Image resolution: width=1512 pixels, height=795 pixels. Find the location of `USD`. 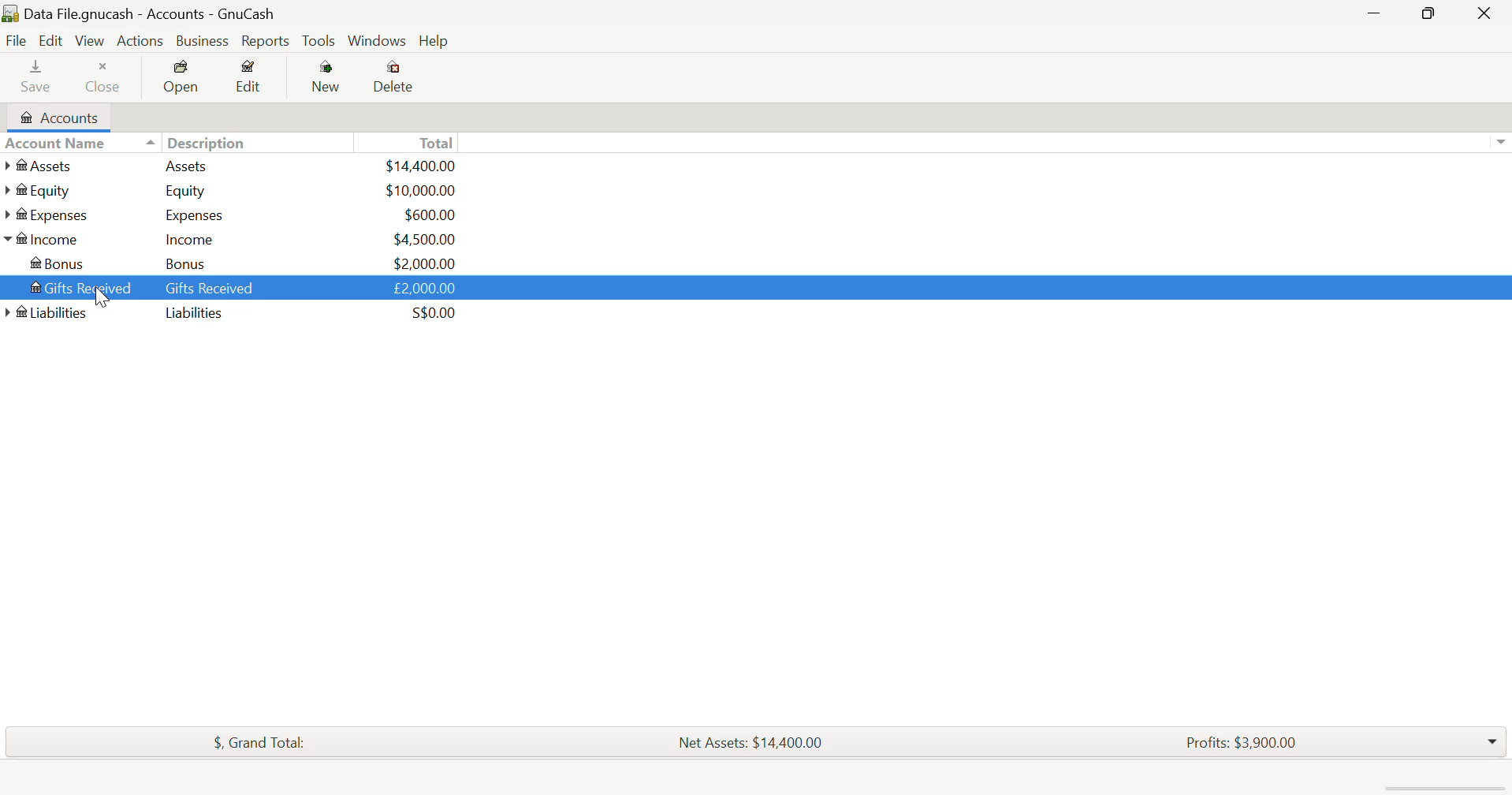

USD is located at coordinates (419, 191).